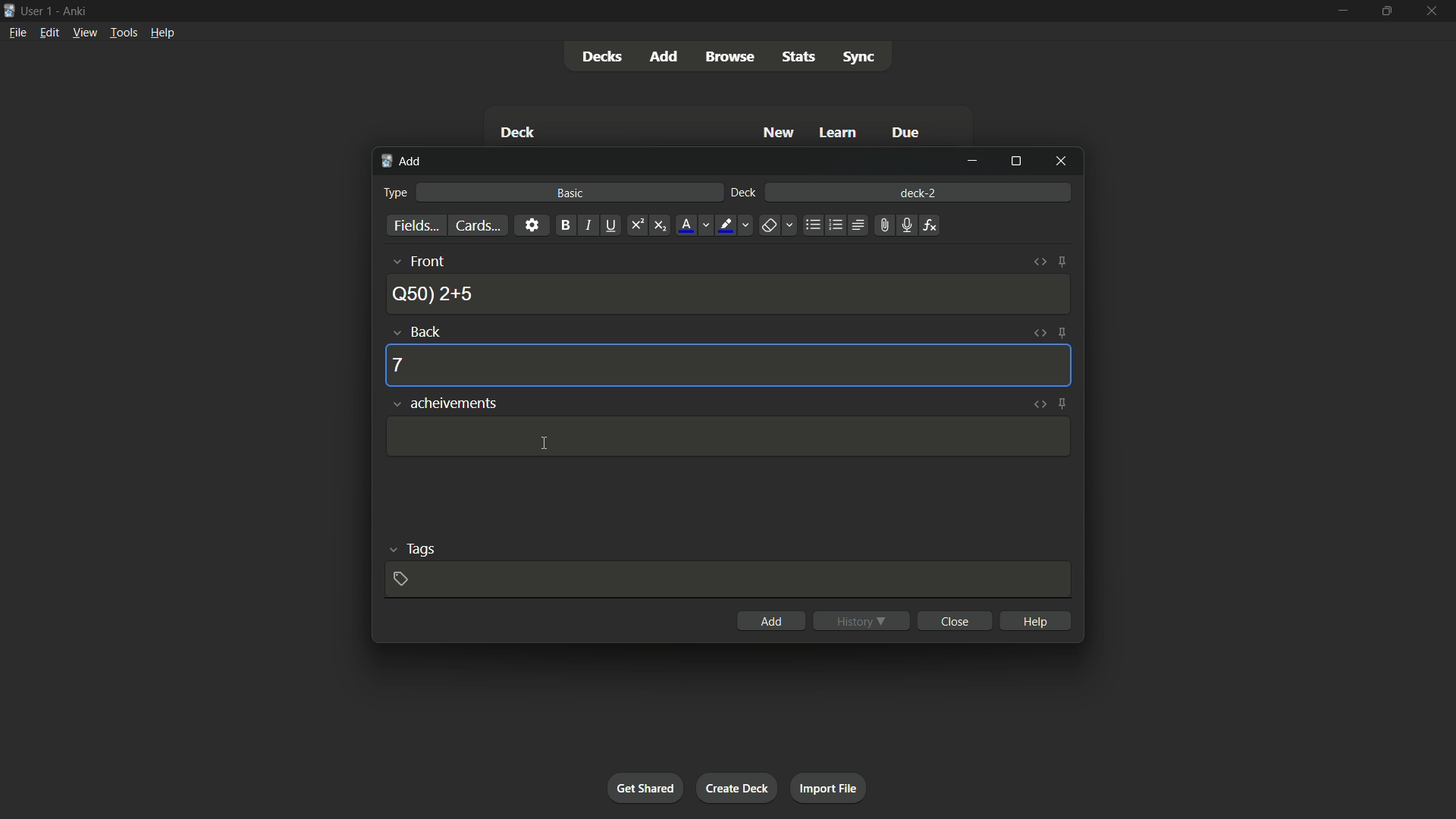  Describe the element at coordinates (1034, 620) in the screenshot. I see `help` at that location.